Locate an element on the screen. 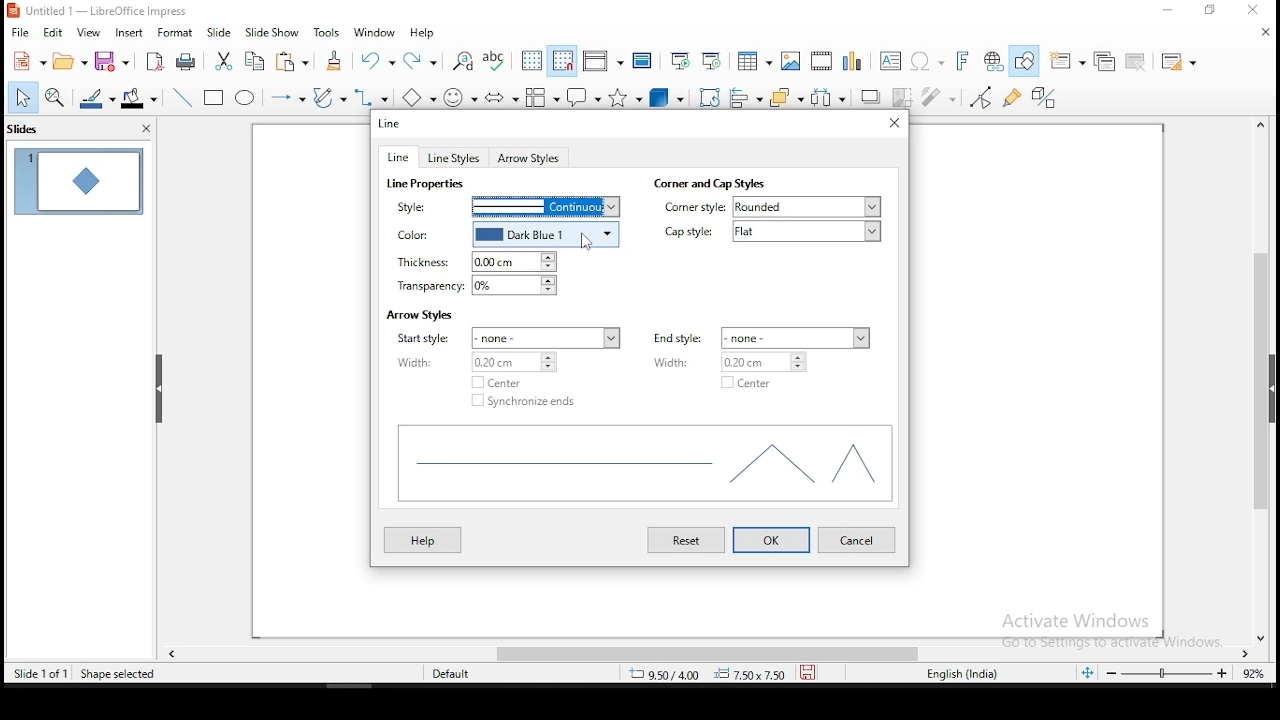 This screenshot has height=720, width=1280. ellipse is located at coordinates (247, 100).